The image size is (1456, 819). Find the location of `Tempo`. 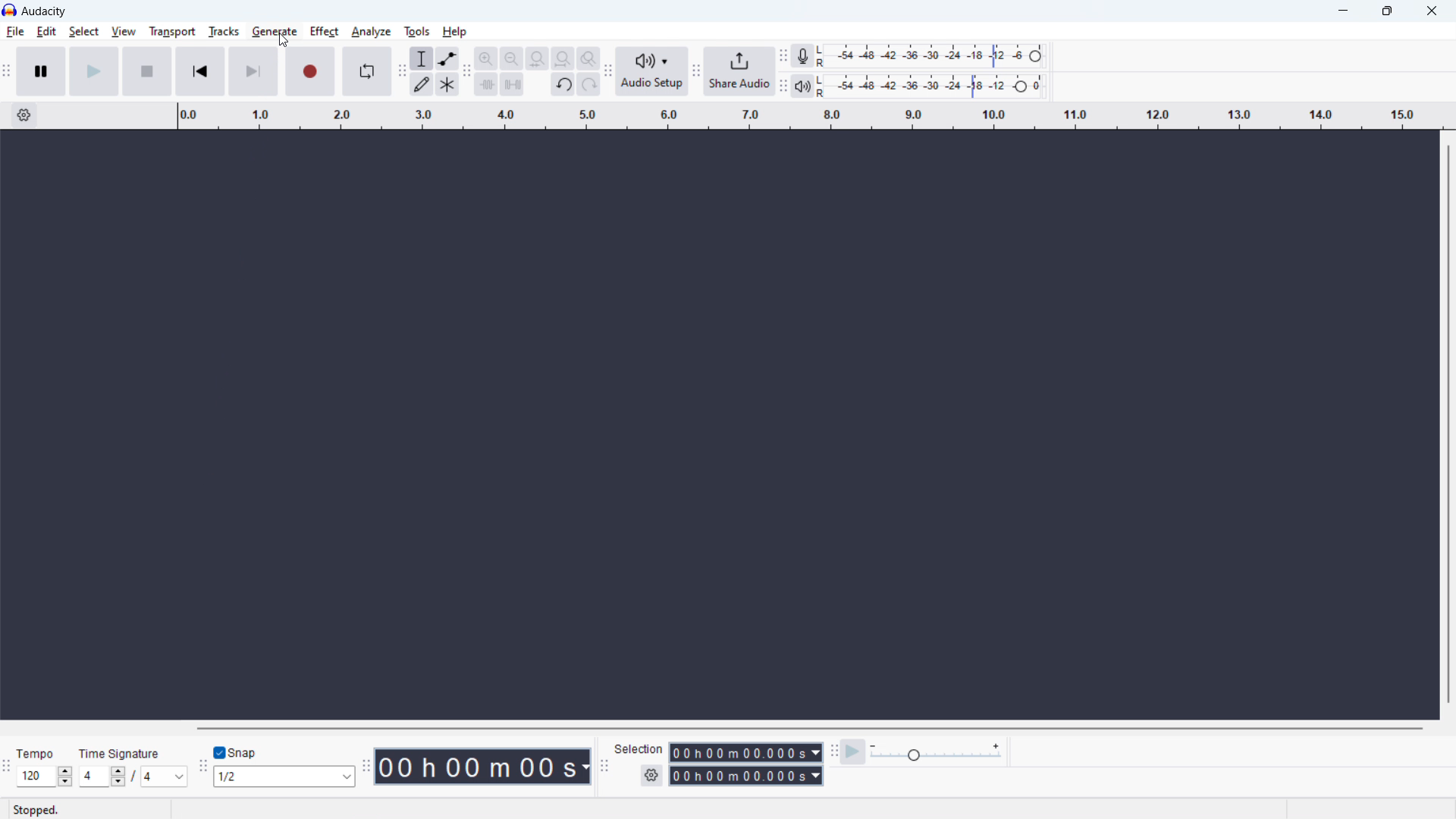

Tempo is located at coordinates (38, 753).